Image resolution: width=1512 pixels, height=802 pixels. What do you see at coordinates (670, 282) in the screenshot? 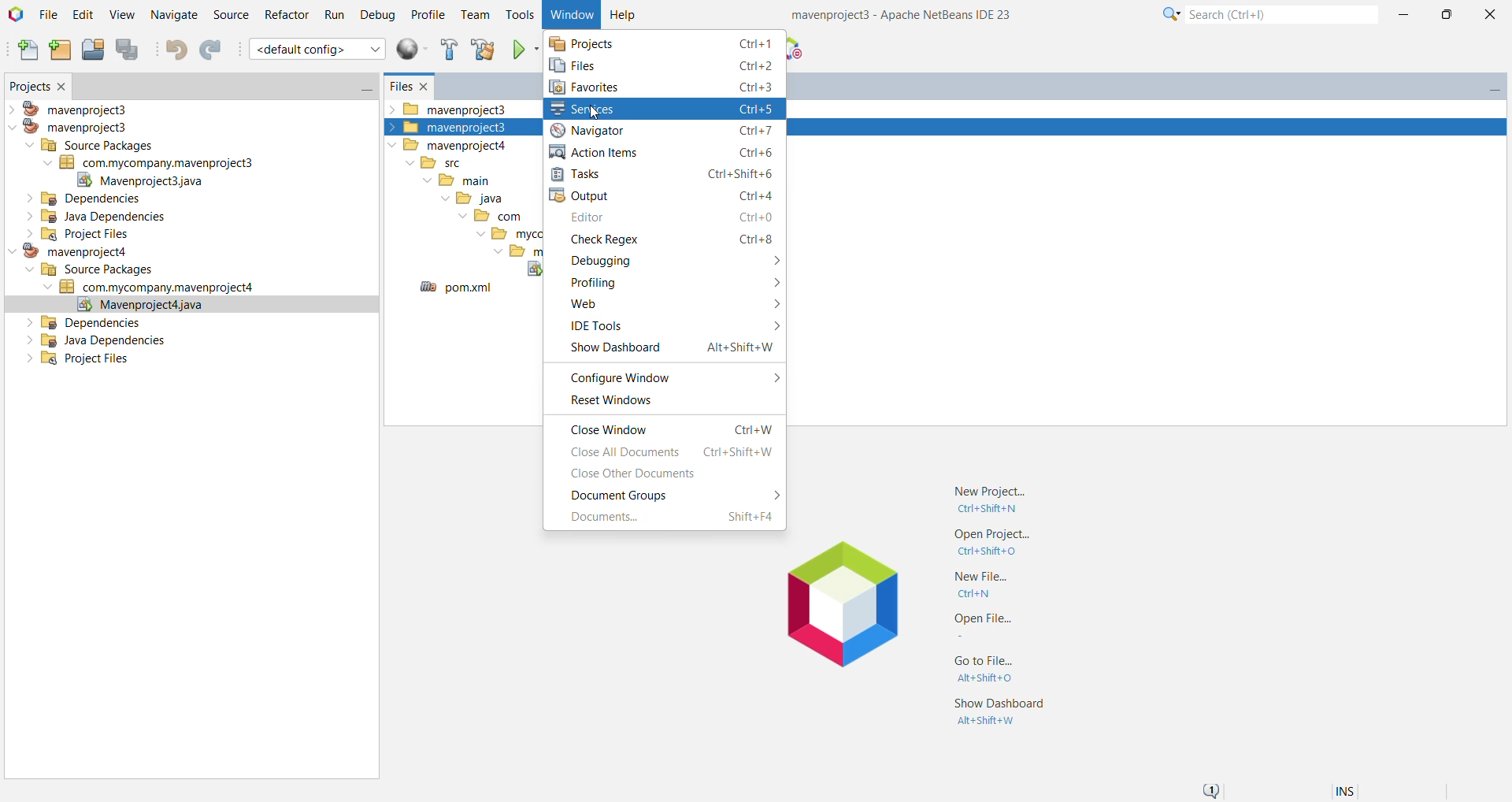
I see `Profiling` at bounding box center [670, 282].